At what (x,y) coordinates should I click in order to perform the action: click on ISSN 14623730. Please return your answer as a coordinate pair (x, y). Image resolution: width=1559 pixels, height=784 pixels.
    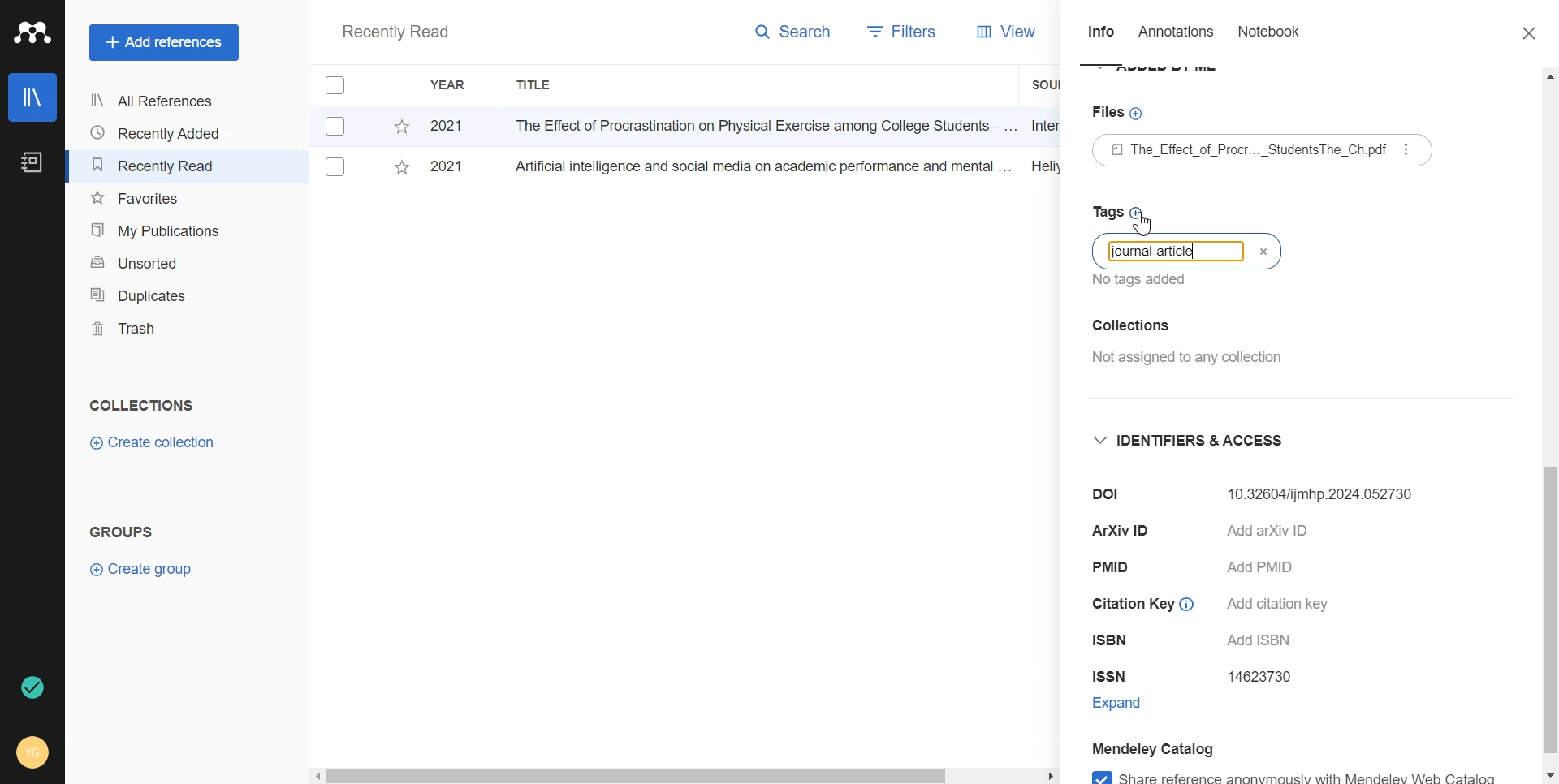
    Looking at the image, I should click on (1200, 677).